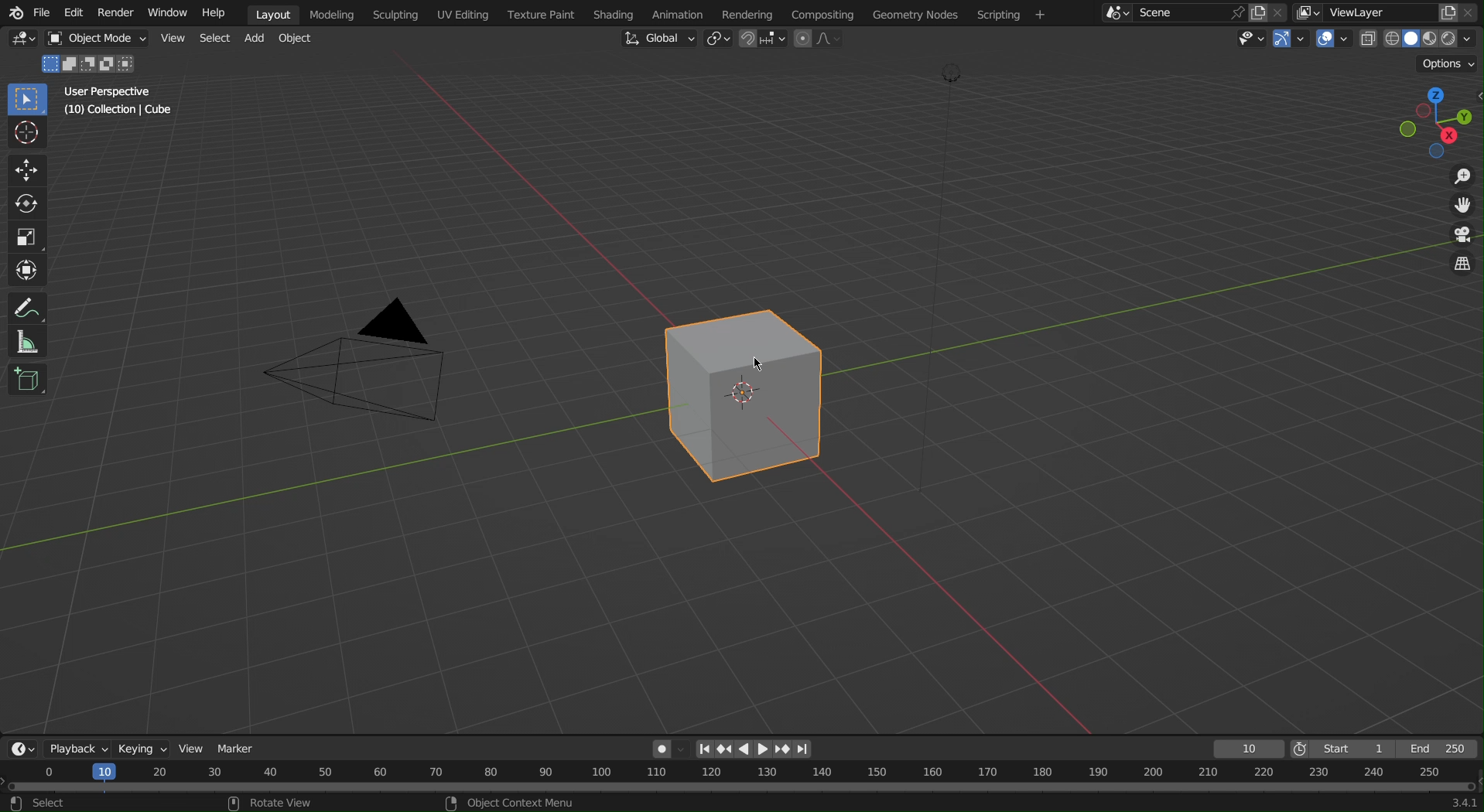  Describe the element at coordinates (120, 112) in the screenshot. I see `Collection | Cube` at that location.